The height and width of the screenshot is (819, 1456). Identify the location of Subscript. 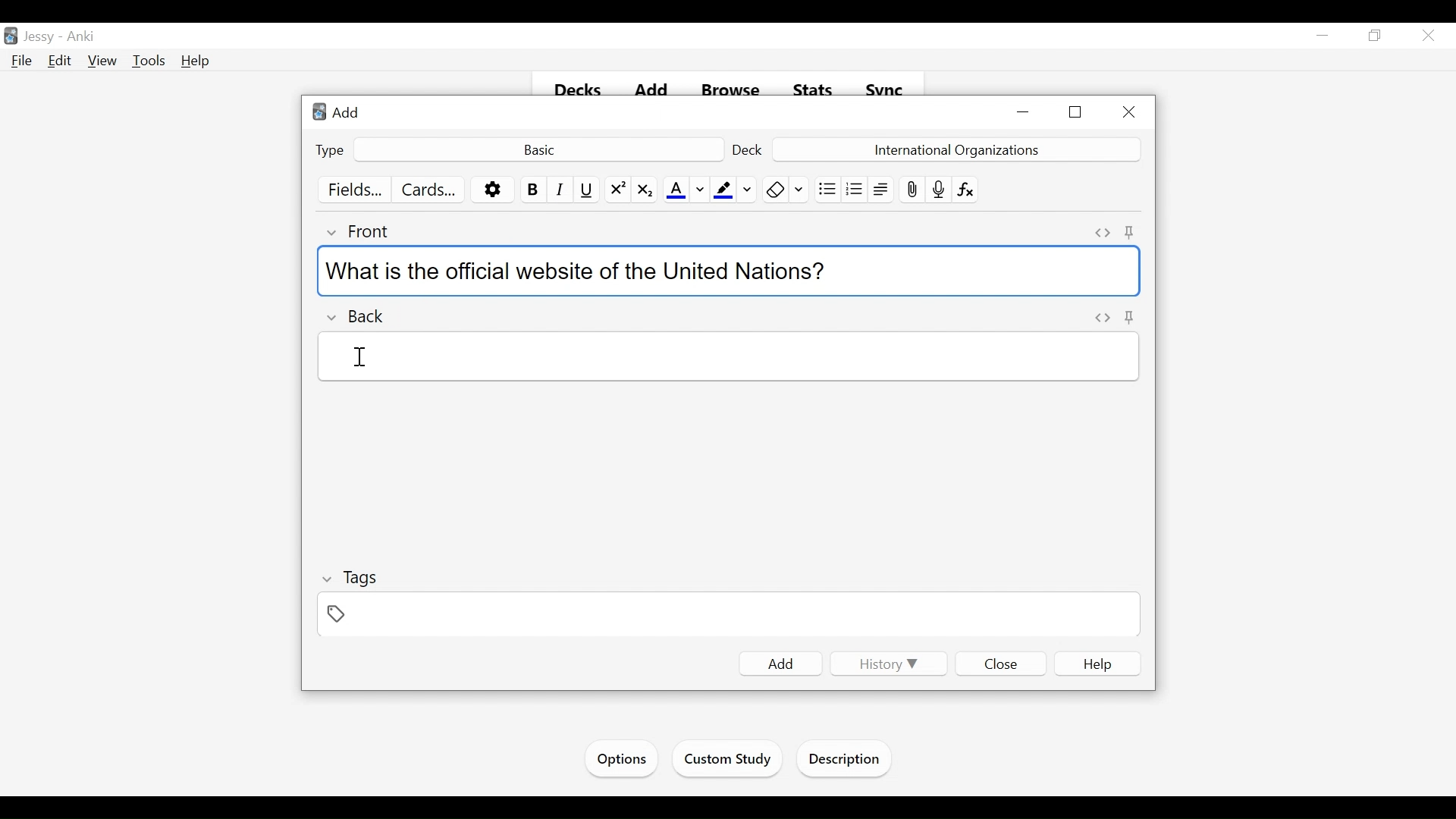
(645, 190).